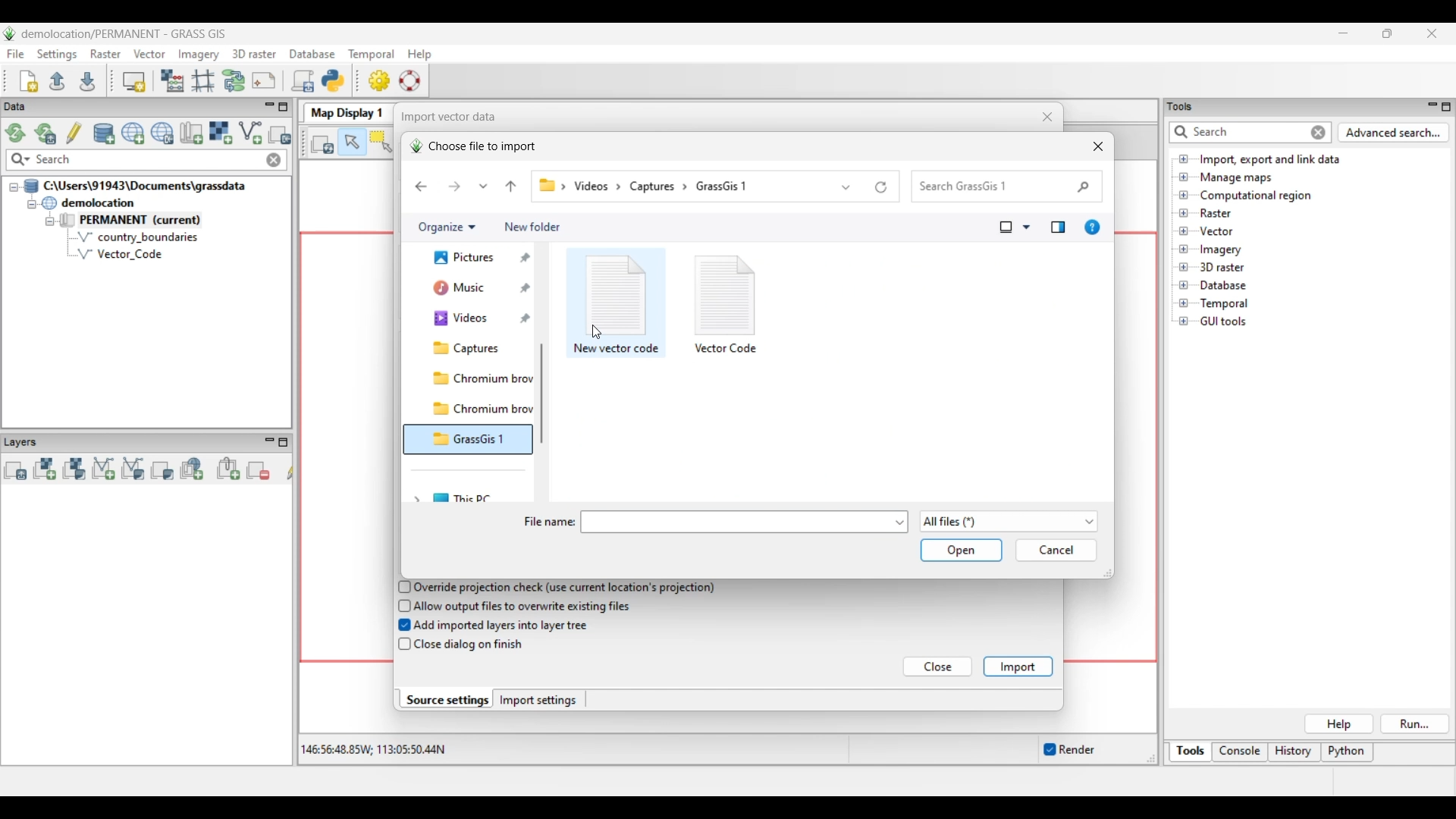  I want to click on Layers, so click(24, 441).